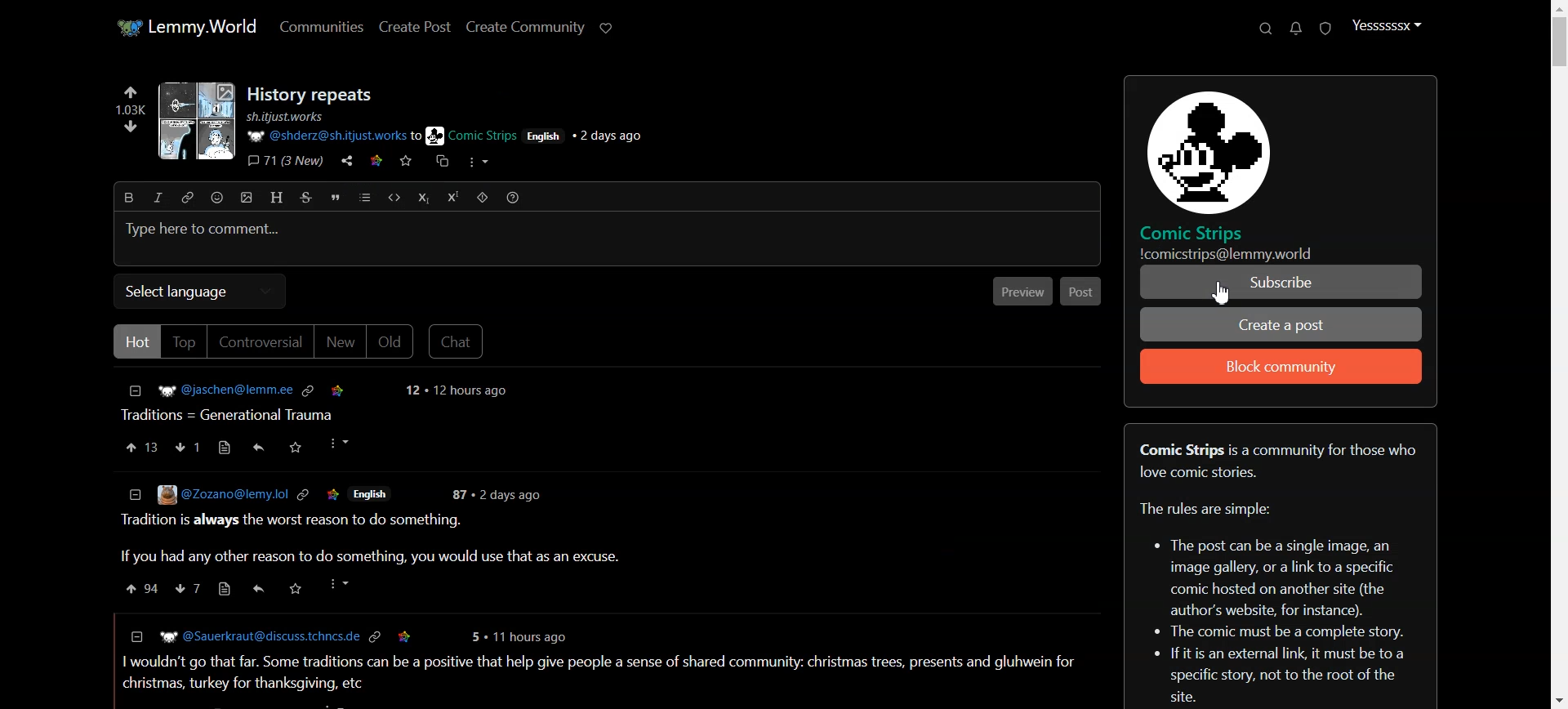  What do you see at coordinates (605, 28) in the screenshot?
I see `Support Lemmy` at bounding box center [605, 28].